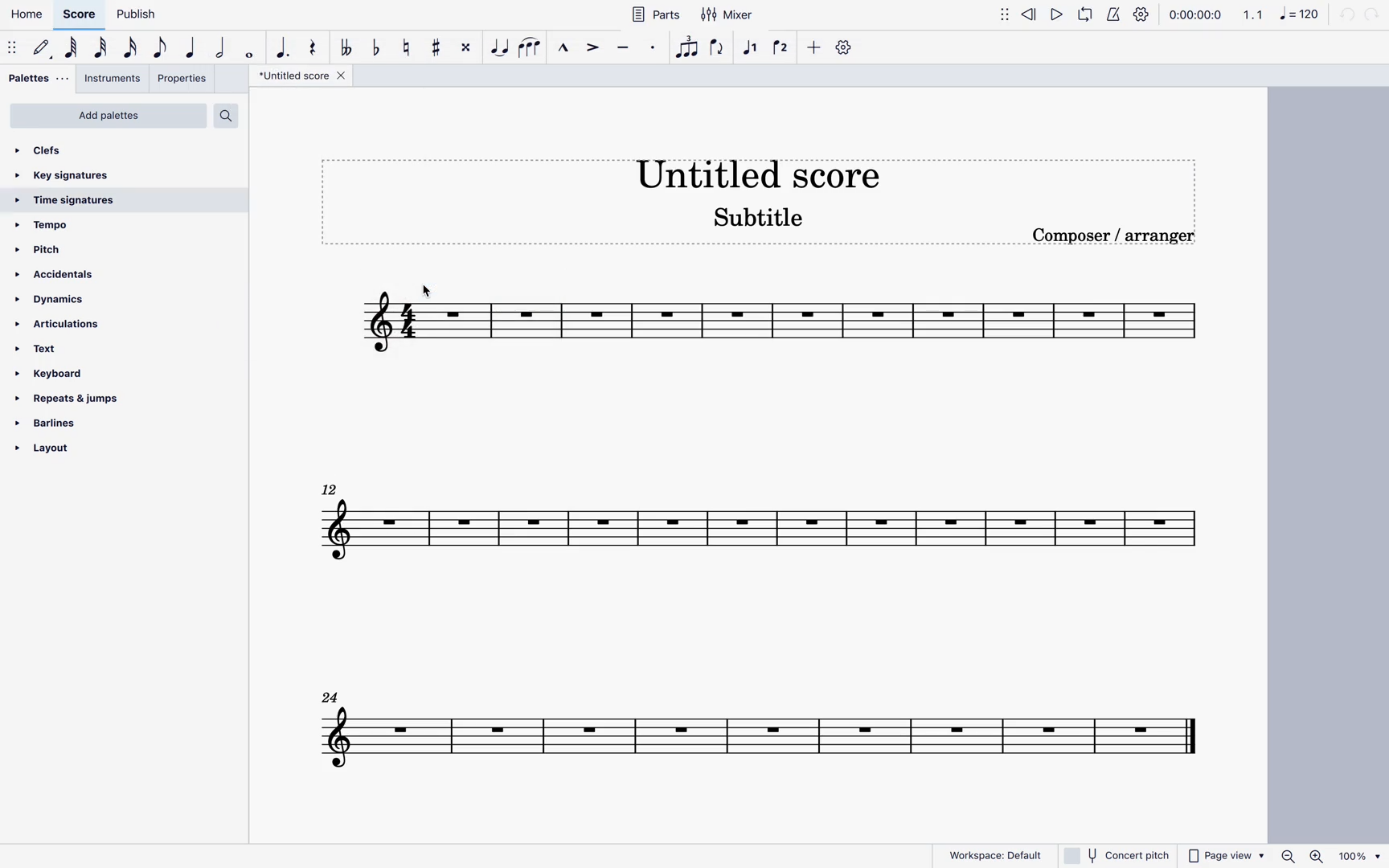 This screenshot has width=1389, height=868. I want to click on 1.1, so click(1250, 17).